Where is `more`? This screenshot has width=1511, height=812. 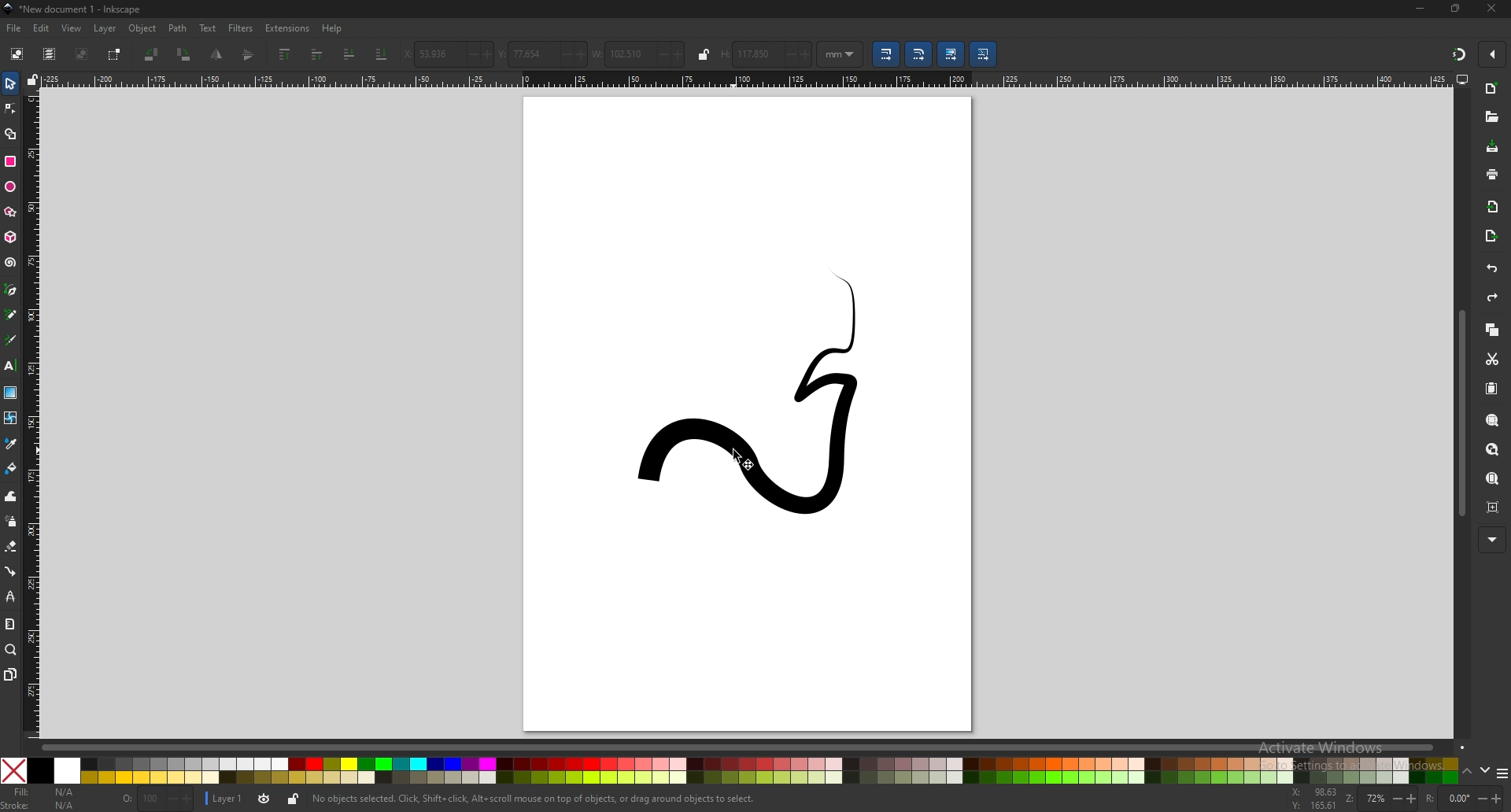
more is located at coordinates (1493, 539).